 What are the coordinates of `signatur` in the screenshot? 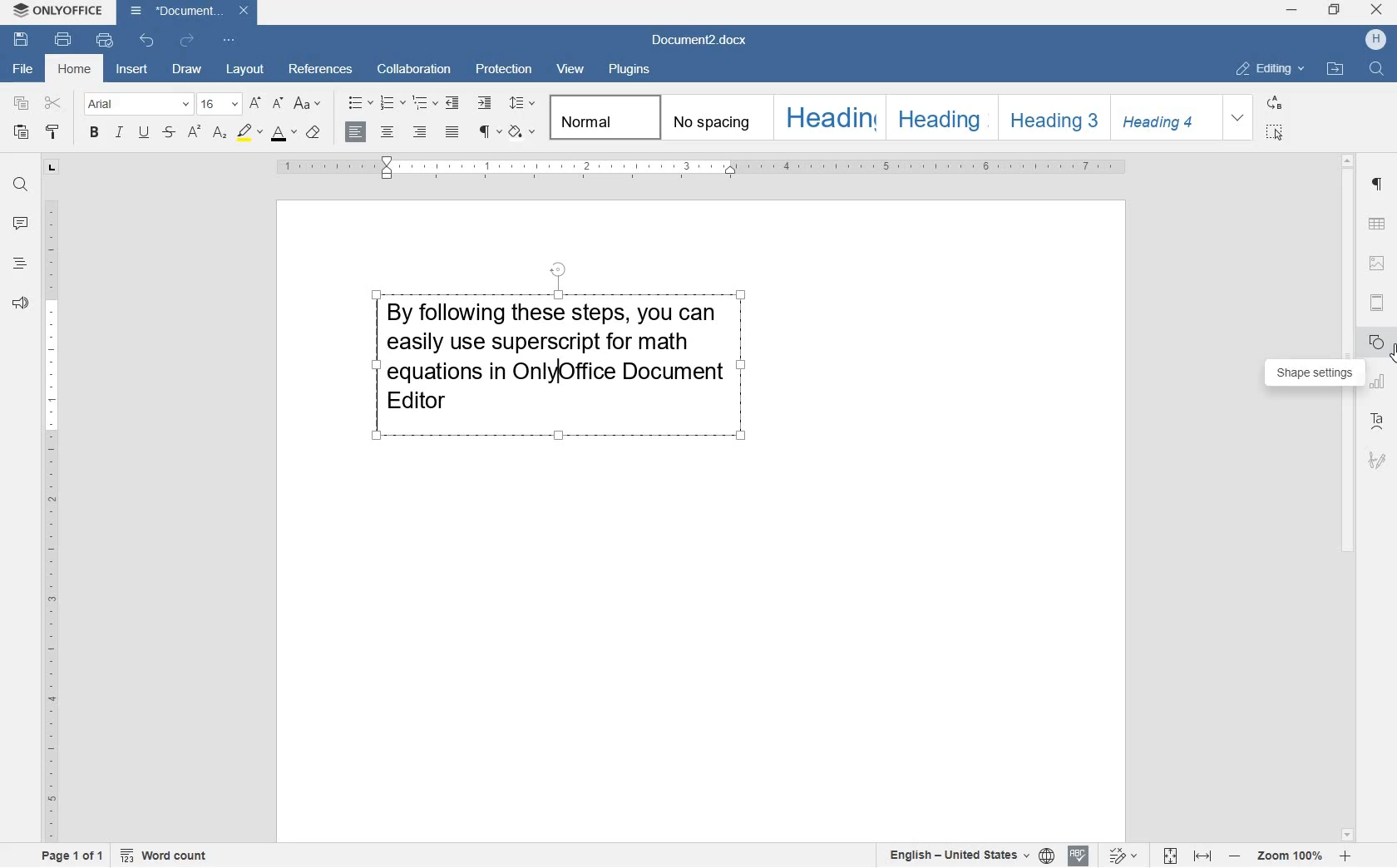 It's located at (1377, 462).